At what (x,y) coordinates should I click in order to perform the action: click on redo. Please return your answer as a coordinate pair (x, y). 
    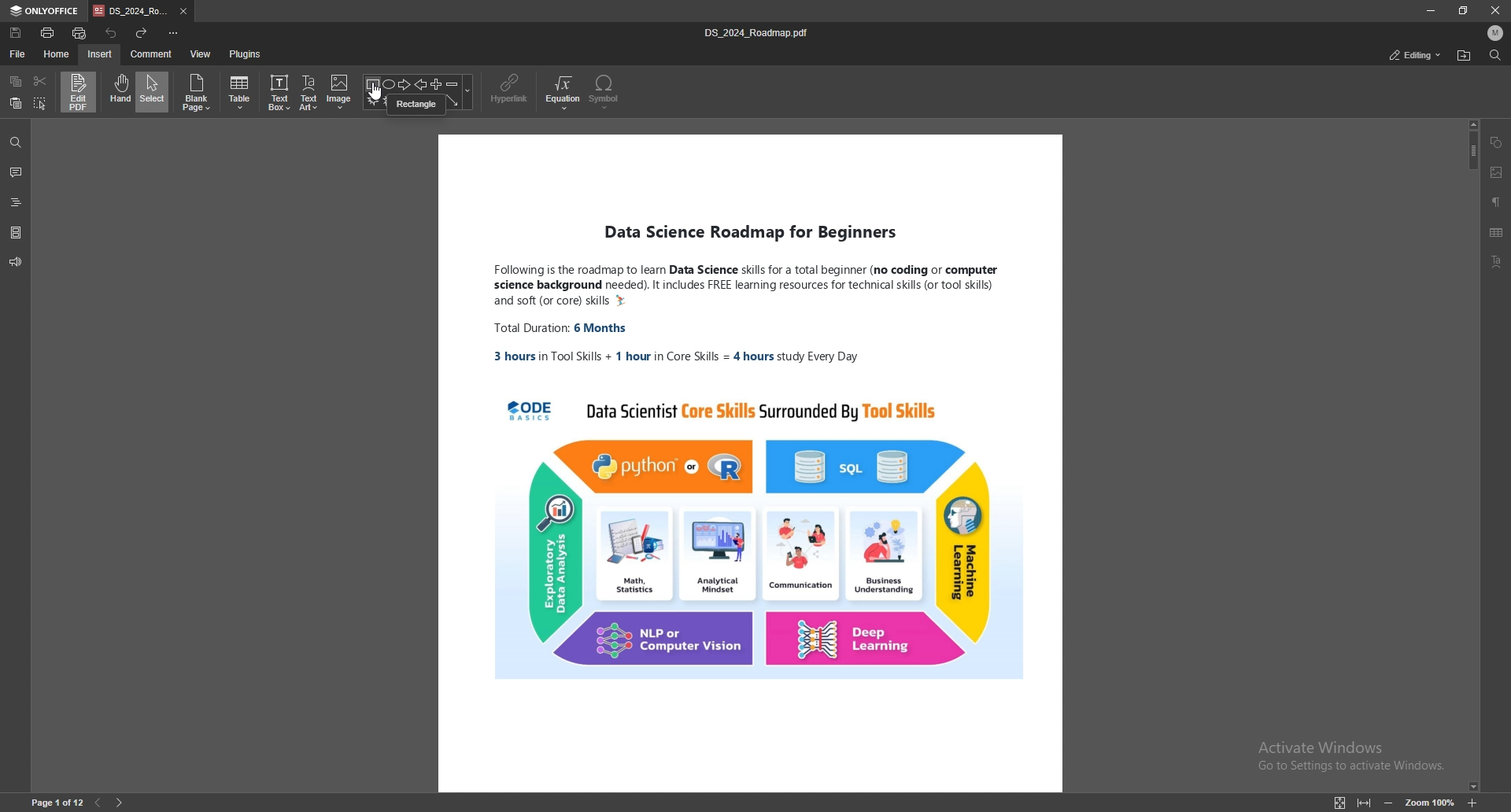
    Looking at the image, I should click on (142, 32).